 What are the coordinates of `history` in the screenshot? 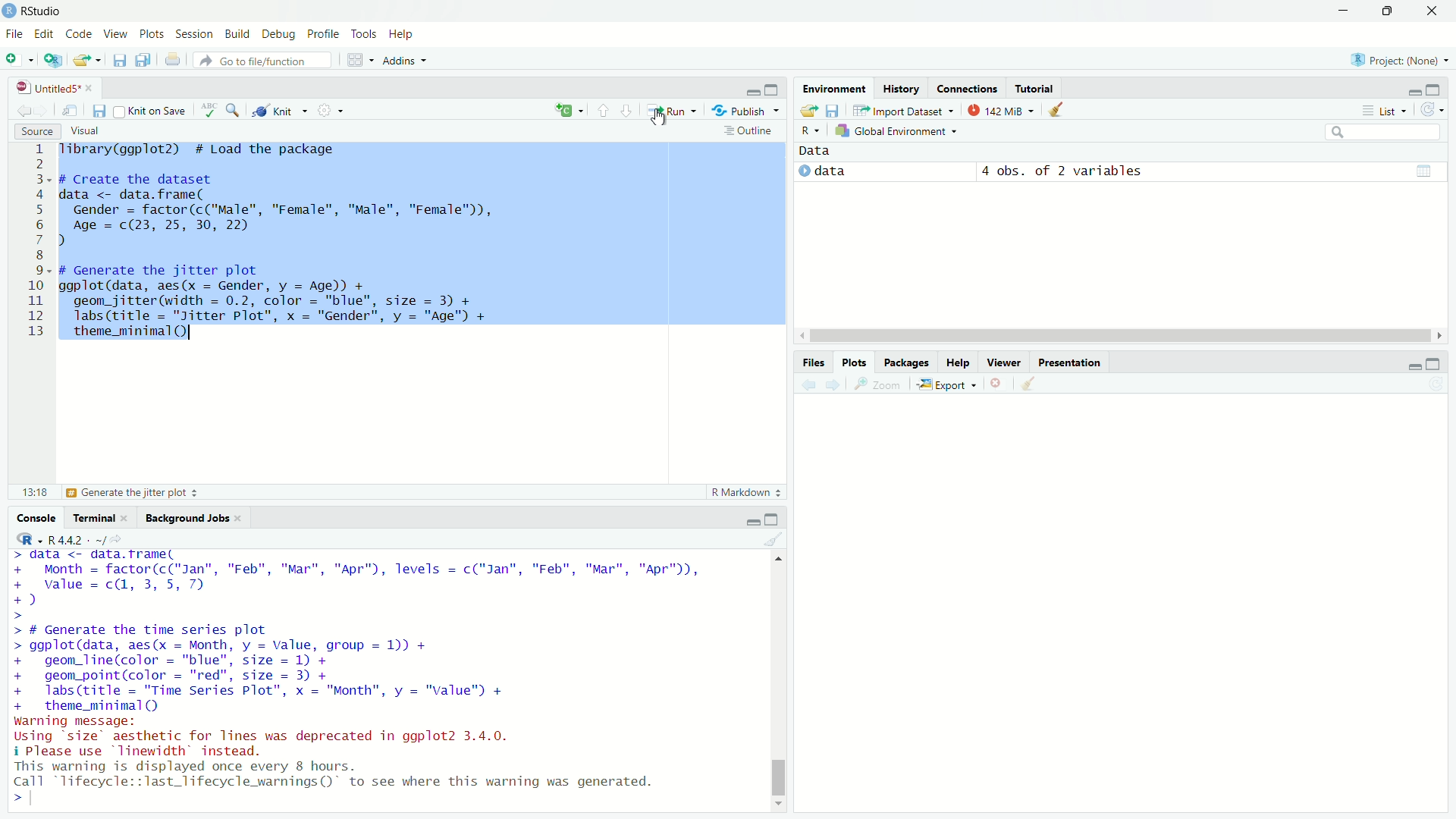 It's located at (900, 89).